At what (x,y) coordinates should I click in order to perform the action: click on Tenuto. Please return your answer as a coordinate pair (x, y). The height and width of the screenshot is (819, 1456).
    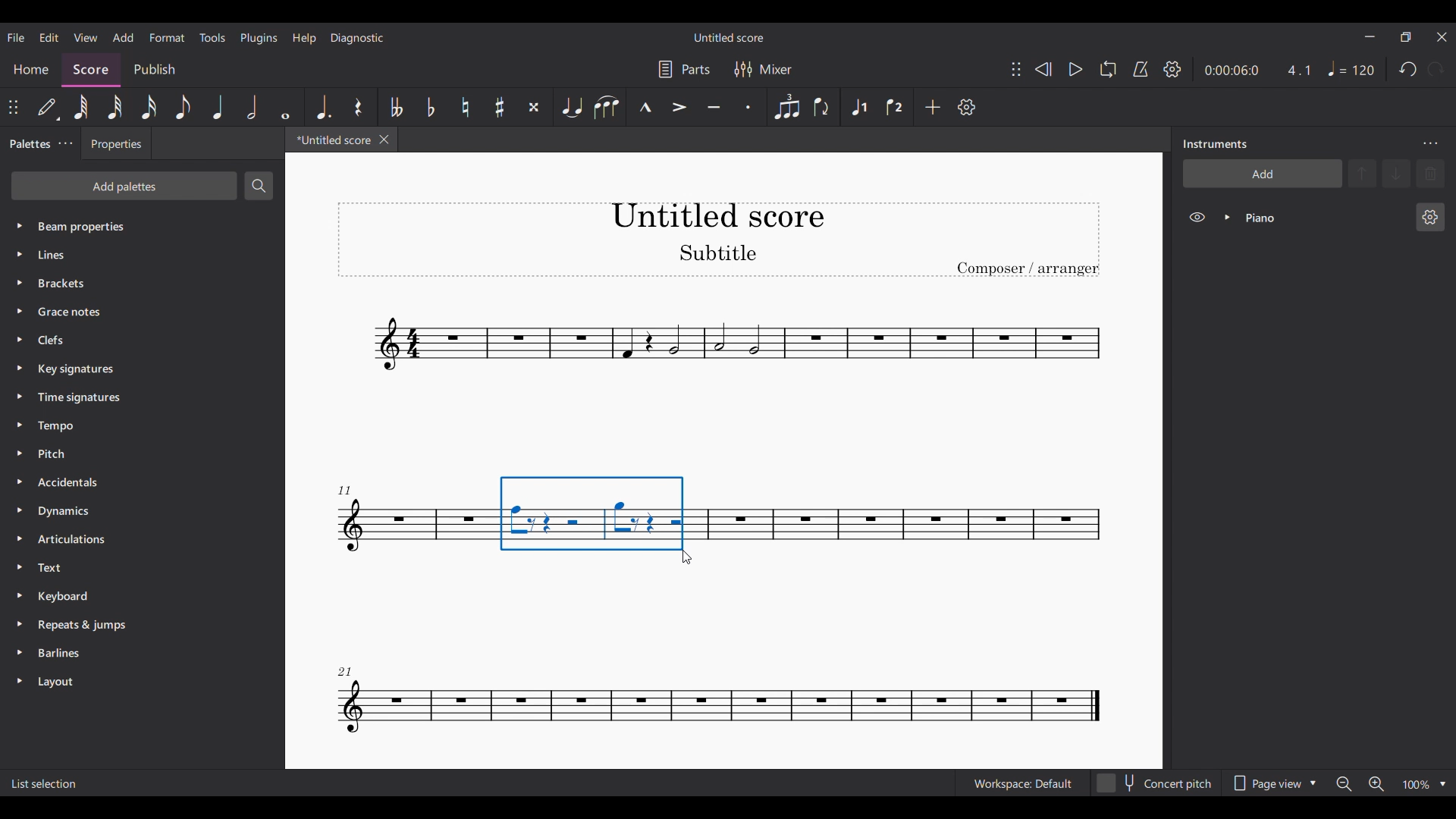
    Looking at the image, I should click on (714, 107).